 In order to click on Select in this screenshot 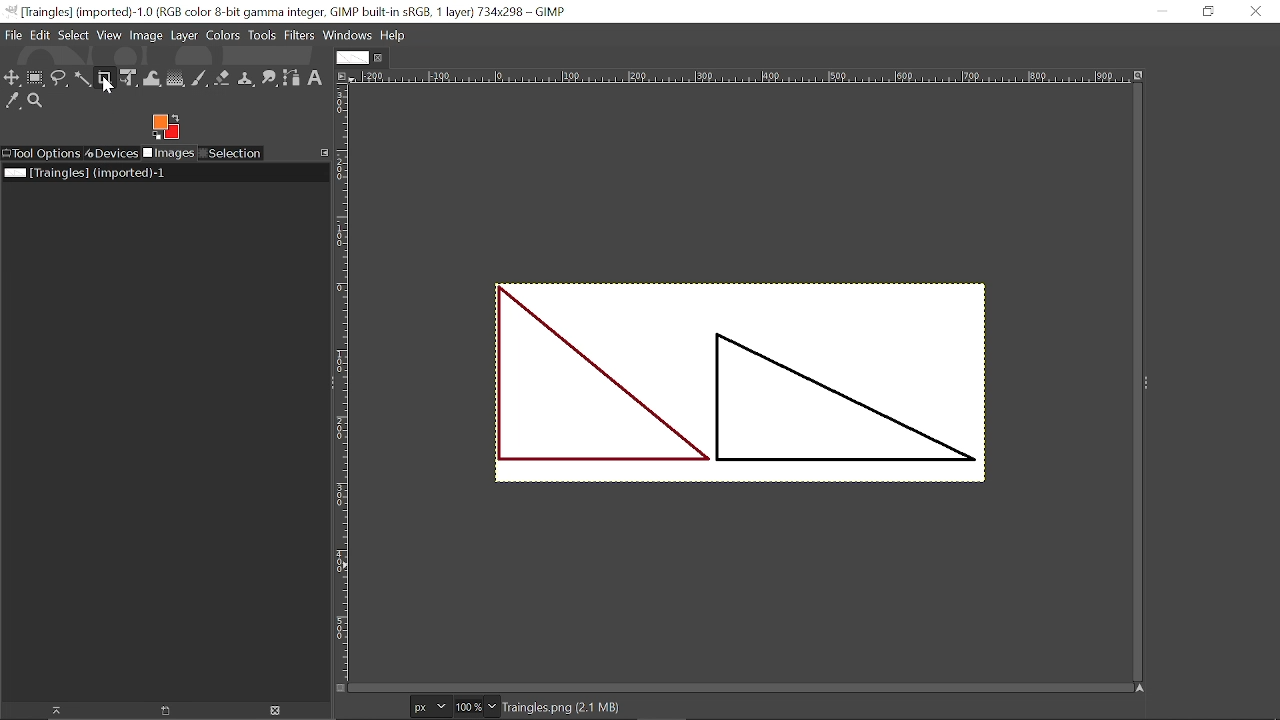, I will do `click(74, 36)`.